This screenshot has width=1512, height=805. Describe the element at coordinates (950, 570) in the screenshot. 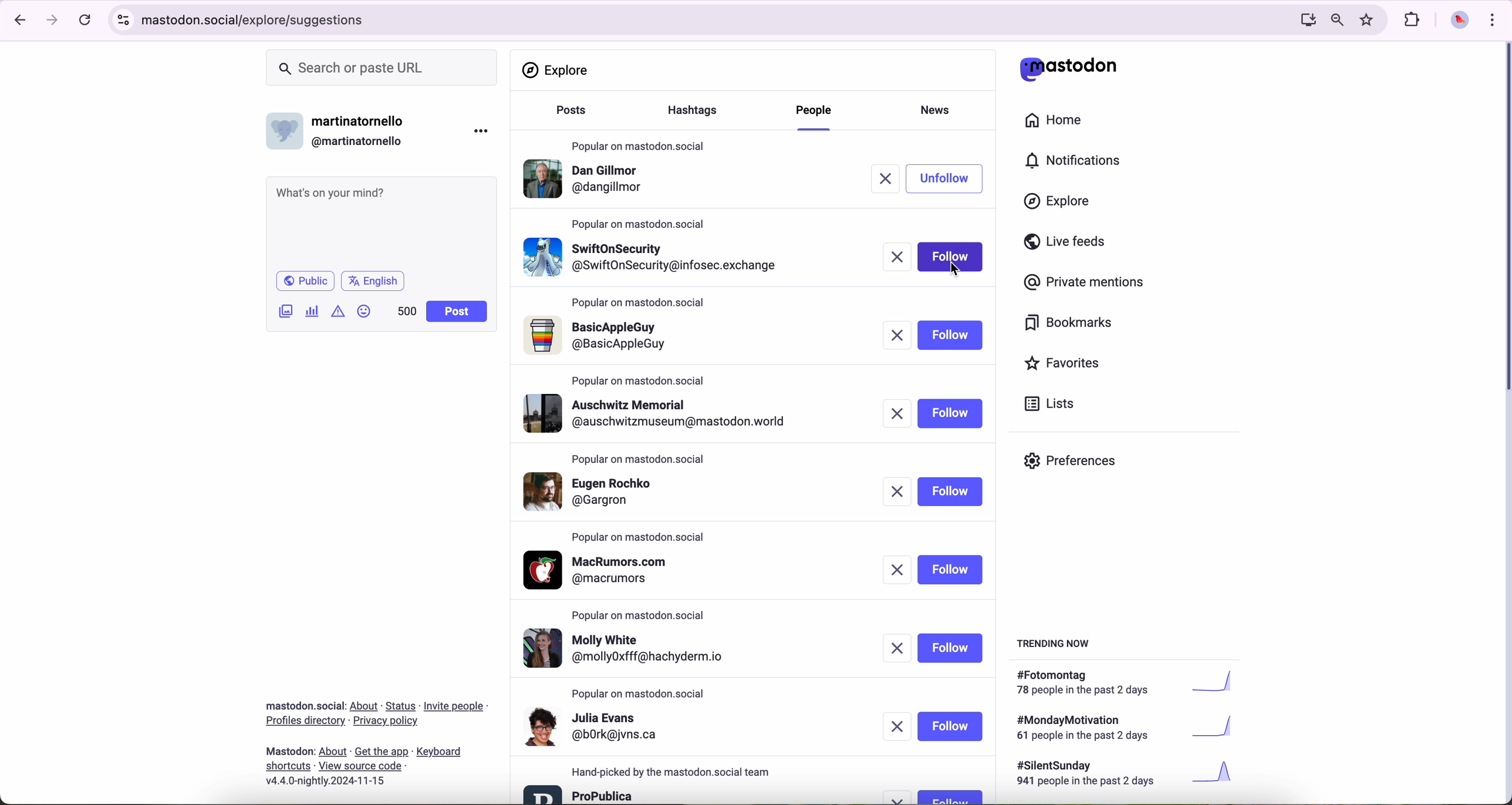

I see `follow button` at that location.